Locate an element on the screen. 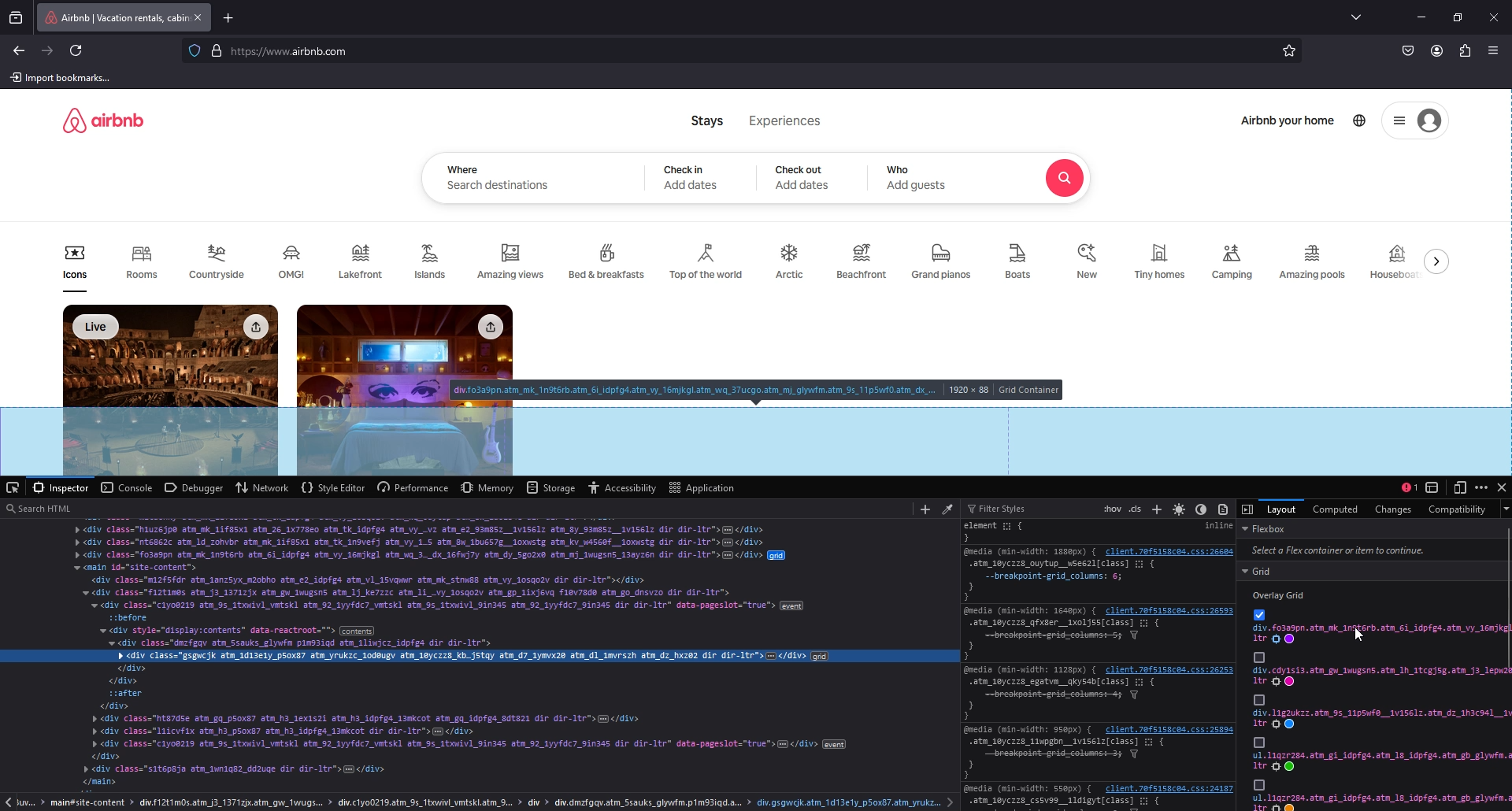 This screenshot has width=1512, height=811. Checkbox  is located at coordinates (1258, 614).